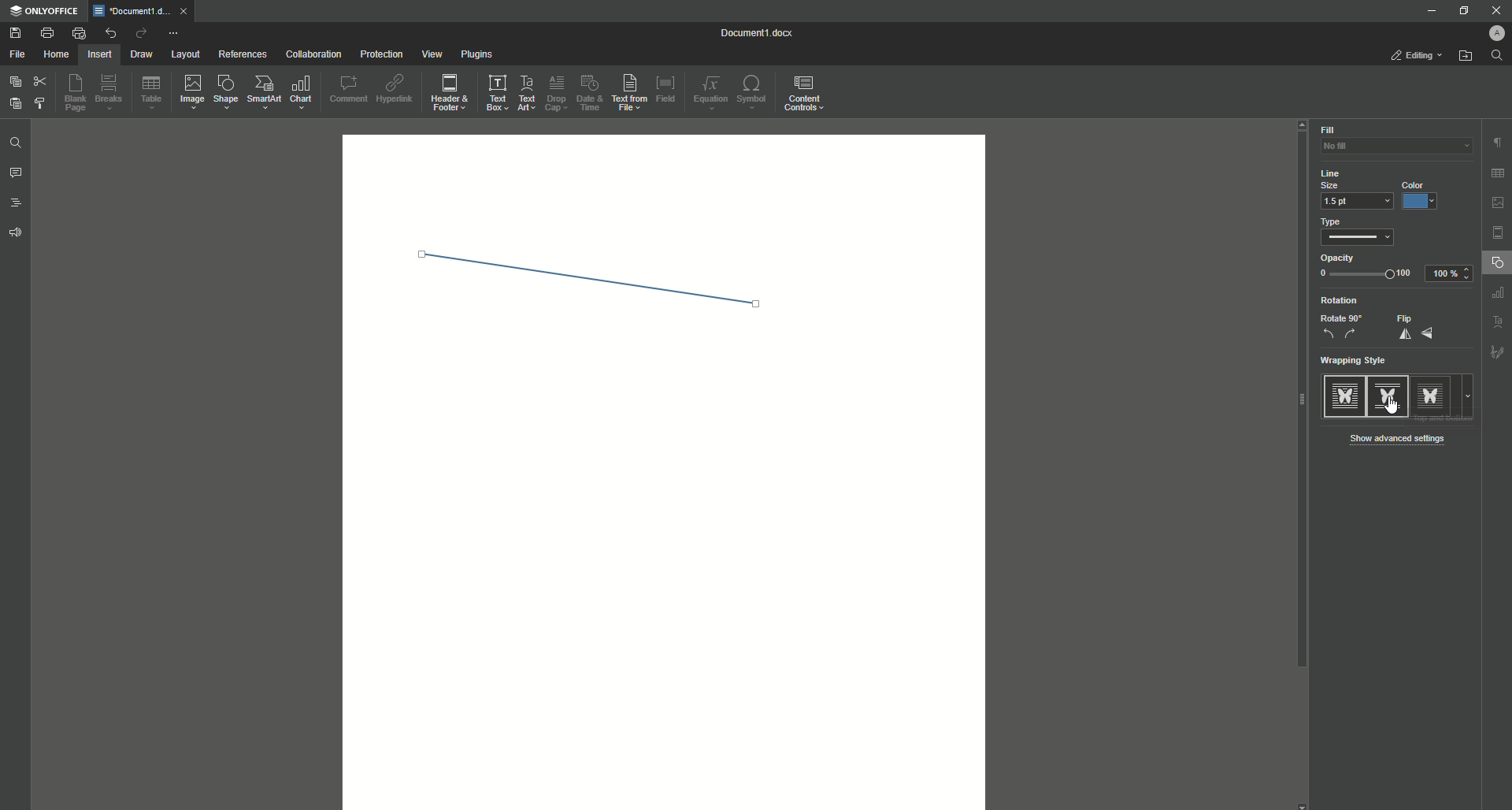 The width and height of the screenshot is (1512, 810). I want to click on Line Size, so click(1345, 178).